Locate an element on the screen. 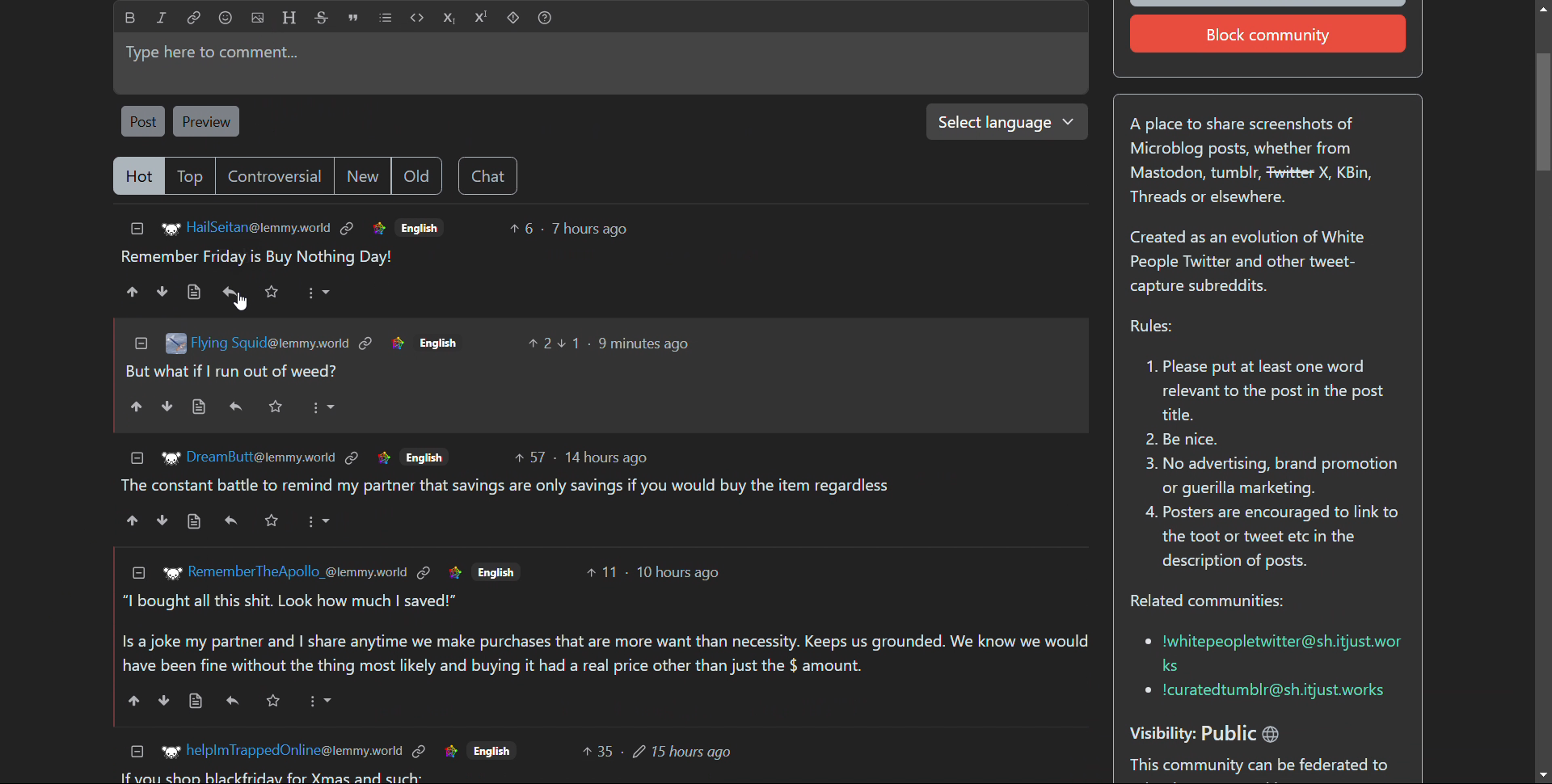  language is located at coordinates (424, 457).